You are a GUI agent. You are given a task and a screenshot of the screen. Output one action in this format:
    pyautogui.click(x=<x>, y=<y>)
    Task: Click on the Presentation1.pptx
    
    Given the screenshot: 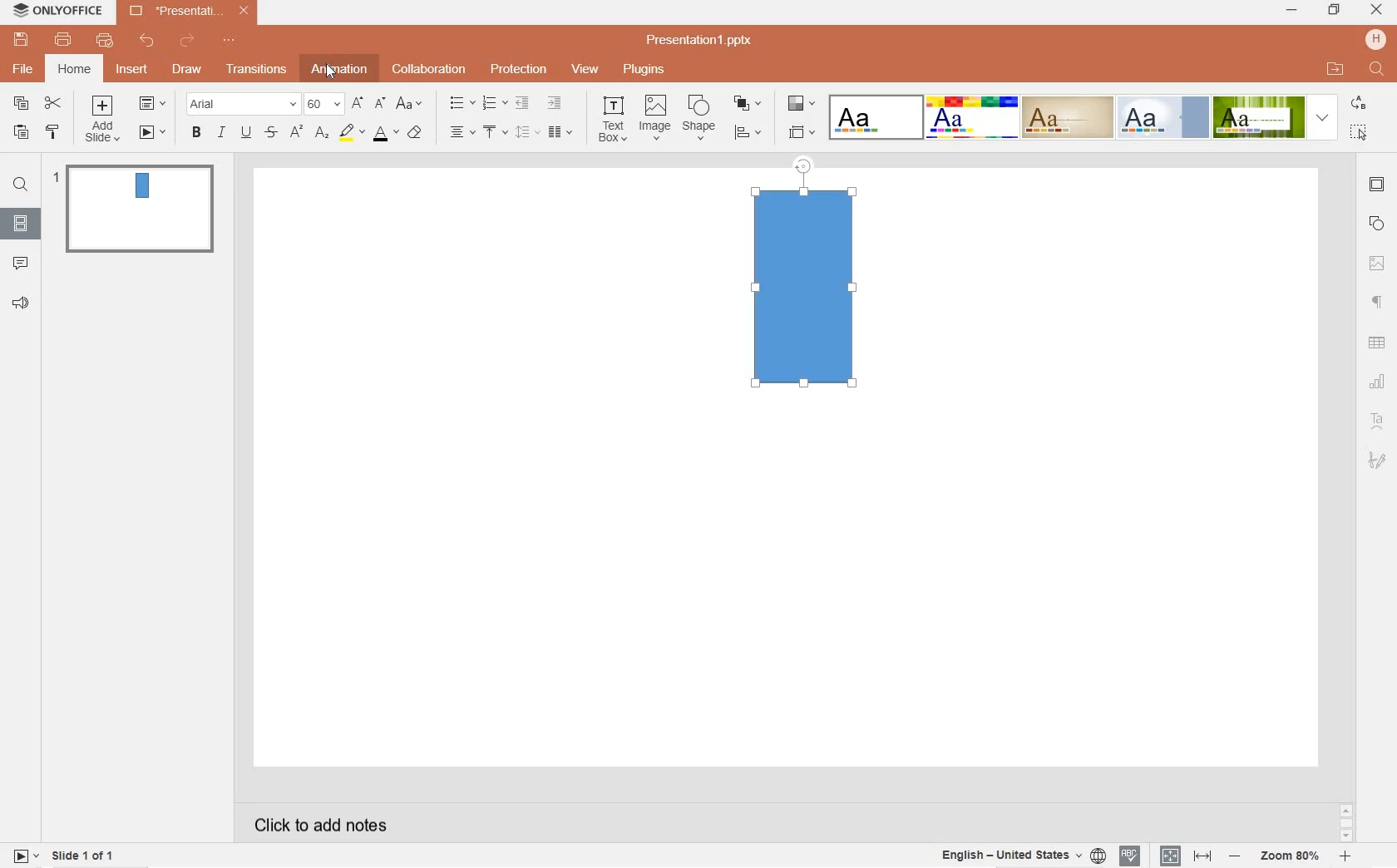 What is the action you would take?
    pyautogui.click(x=702, y=40)
    